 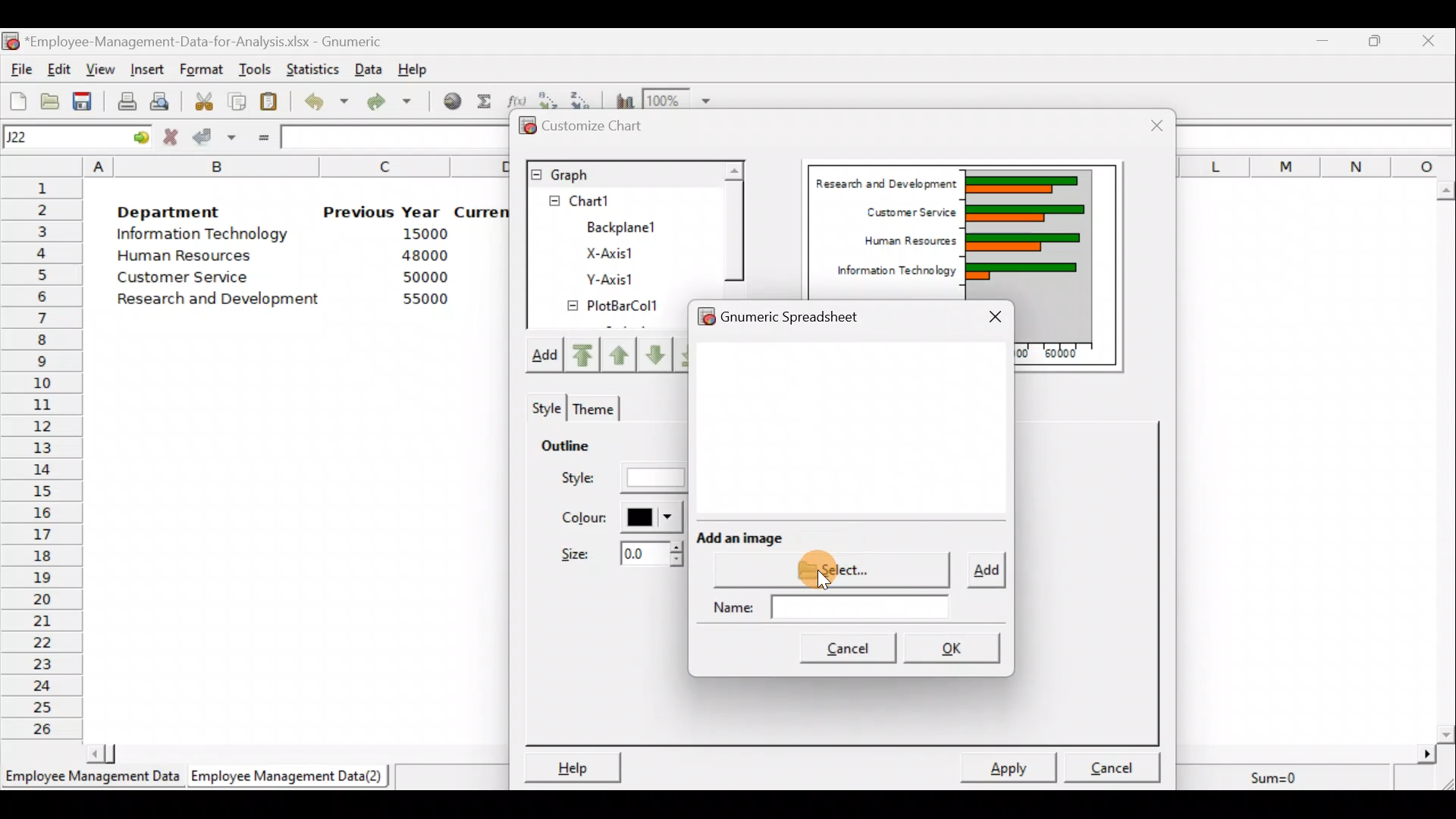 What do you see at coordinates (241, 102) in the screenshot?
I see `Copy the selection` at bounding box center [241, 102].